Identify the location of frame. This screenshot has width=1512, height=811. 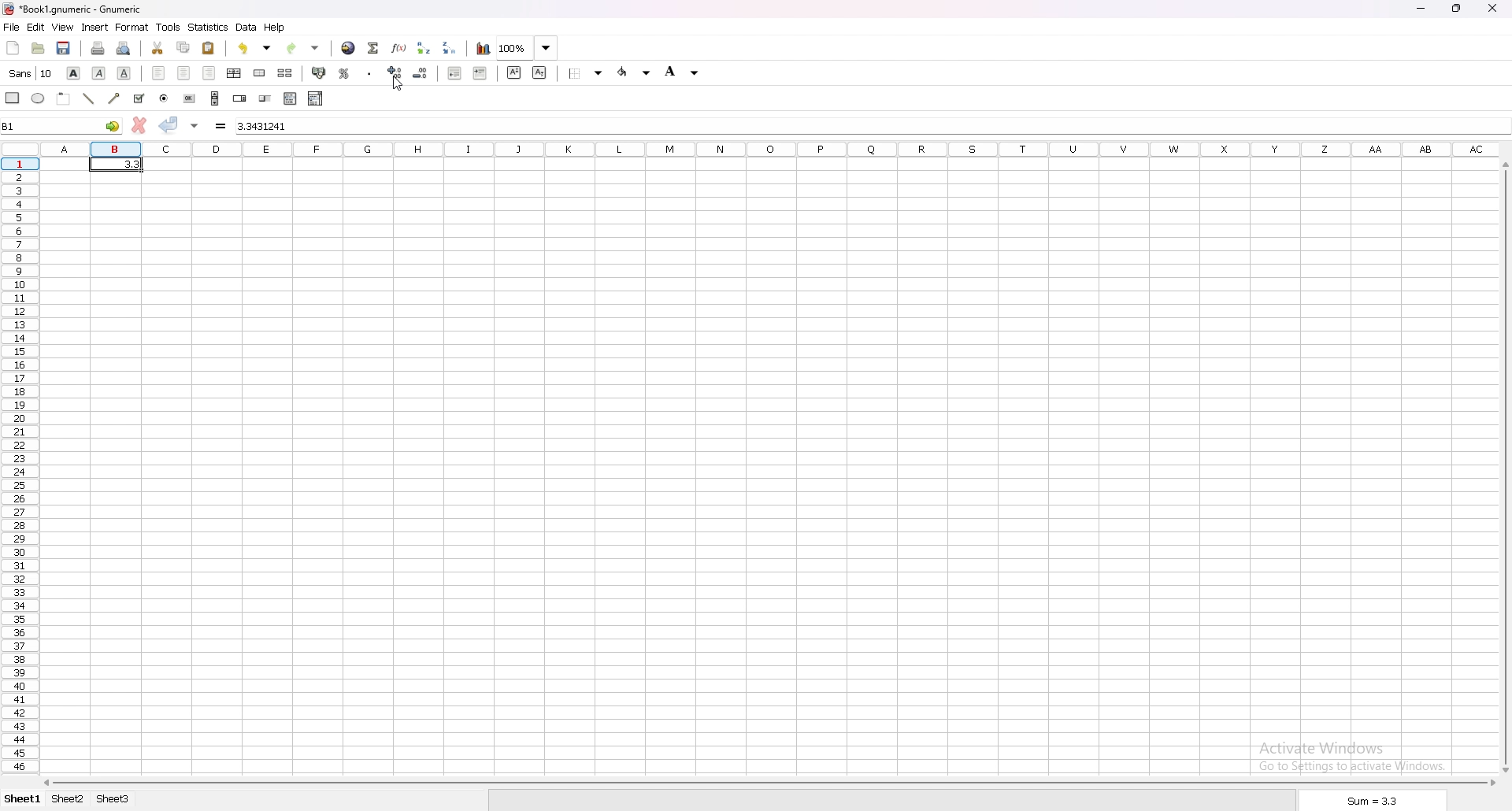
(63, 98).